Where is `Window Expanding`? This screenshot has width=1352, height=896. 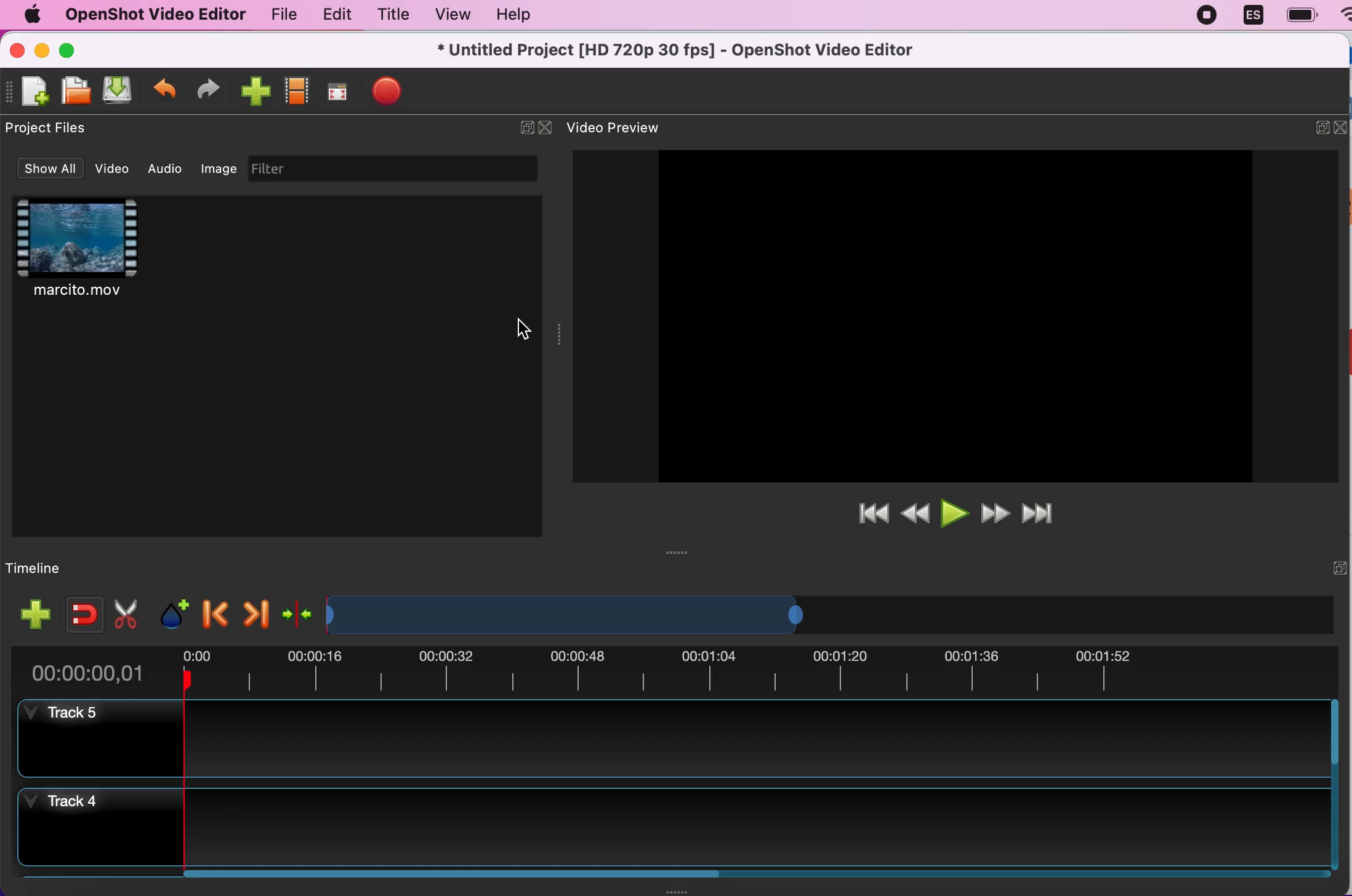 Window Expanding is located at coordinates (677, 557).